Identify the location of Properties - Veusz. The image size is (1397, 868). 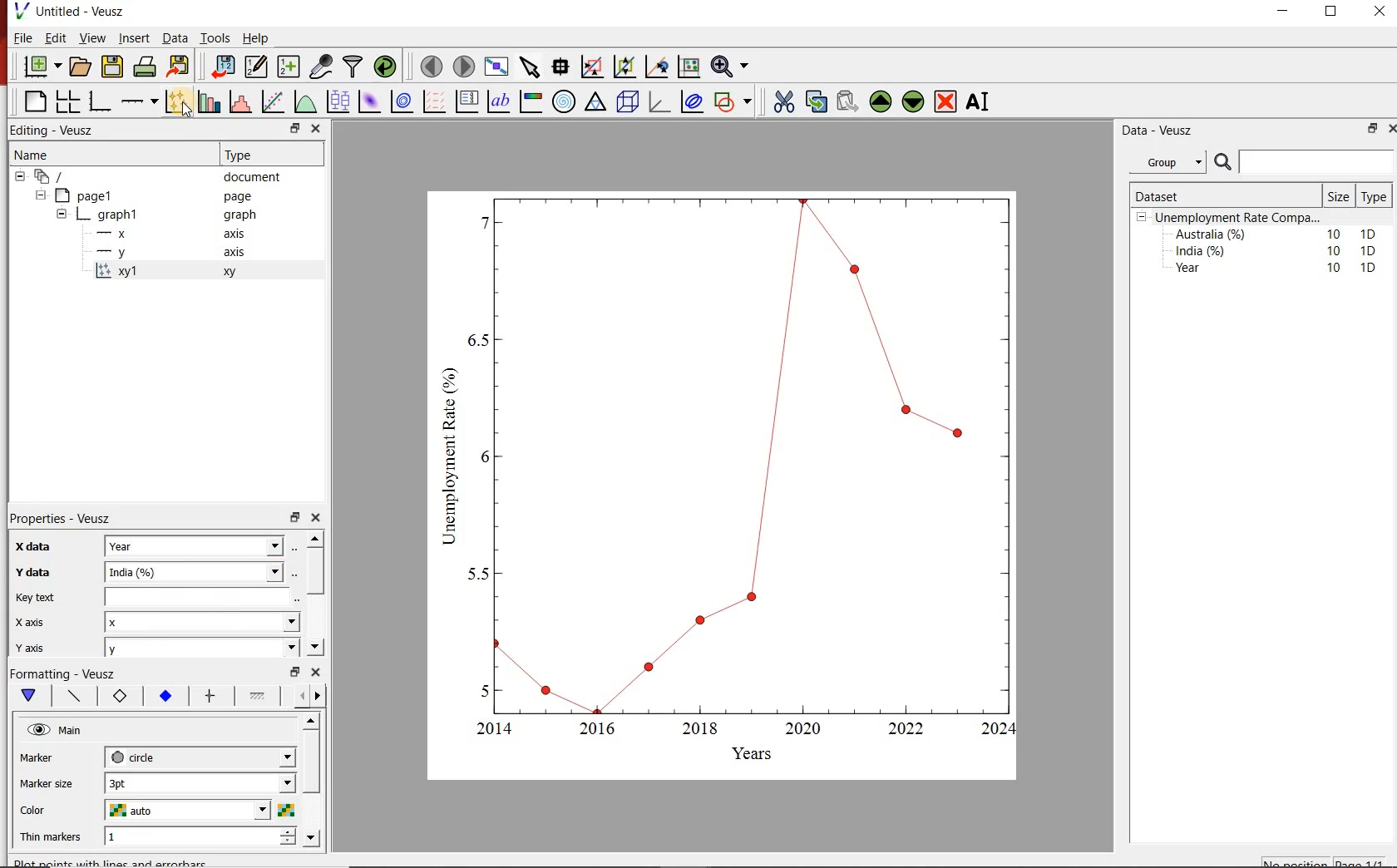
(63, 520).